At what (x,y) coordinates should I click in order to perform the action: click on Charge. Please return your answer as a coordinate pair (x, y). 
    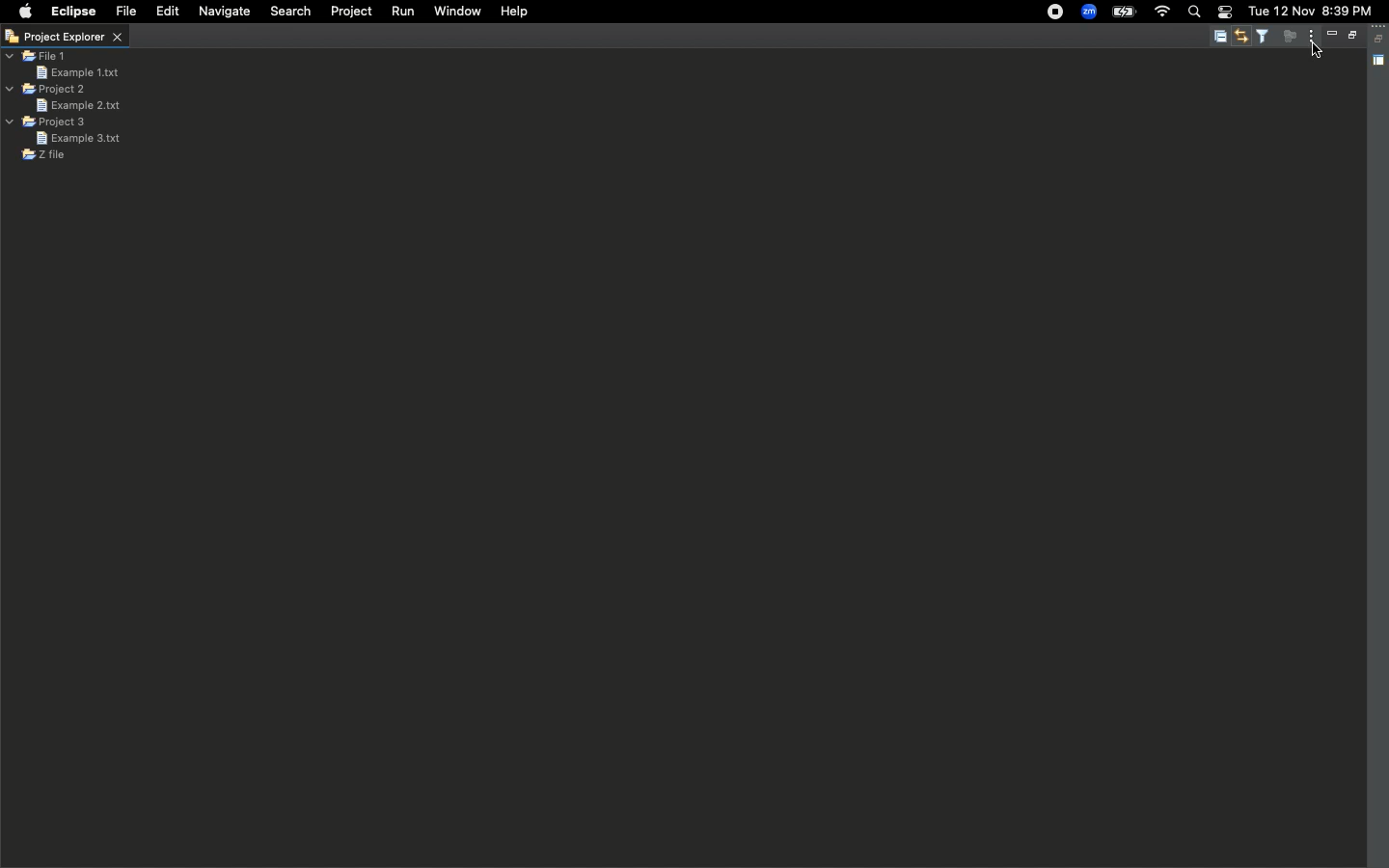
    Looking at the image, I should click on (1124, 14).